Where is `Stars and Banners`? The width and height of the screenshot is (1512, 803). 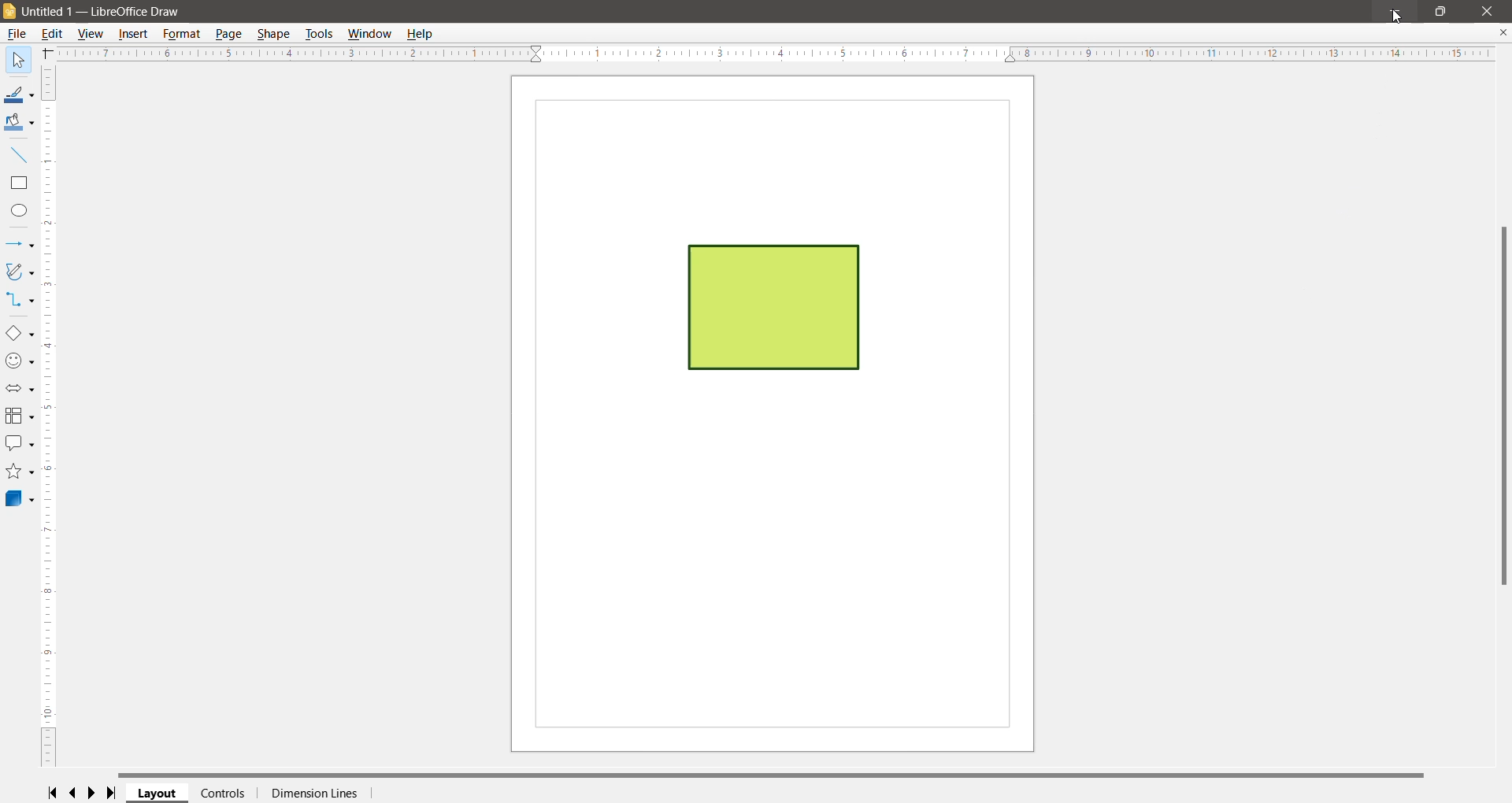 Stars and Banners is located at coordinates (19, 472).